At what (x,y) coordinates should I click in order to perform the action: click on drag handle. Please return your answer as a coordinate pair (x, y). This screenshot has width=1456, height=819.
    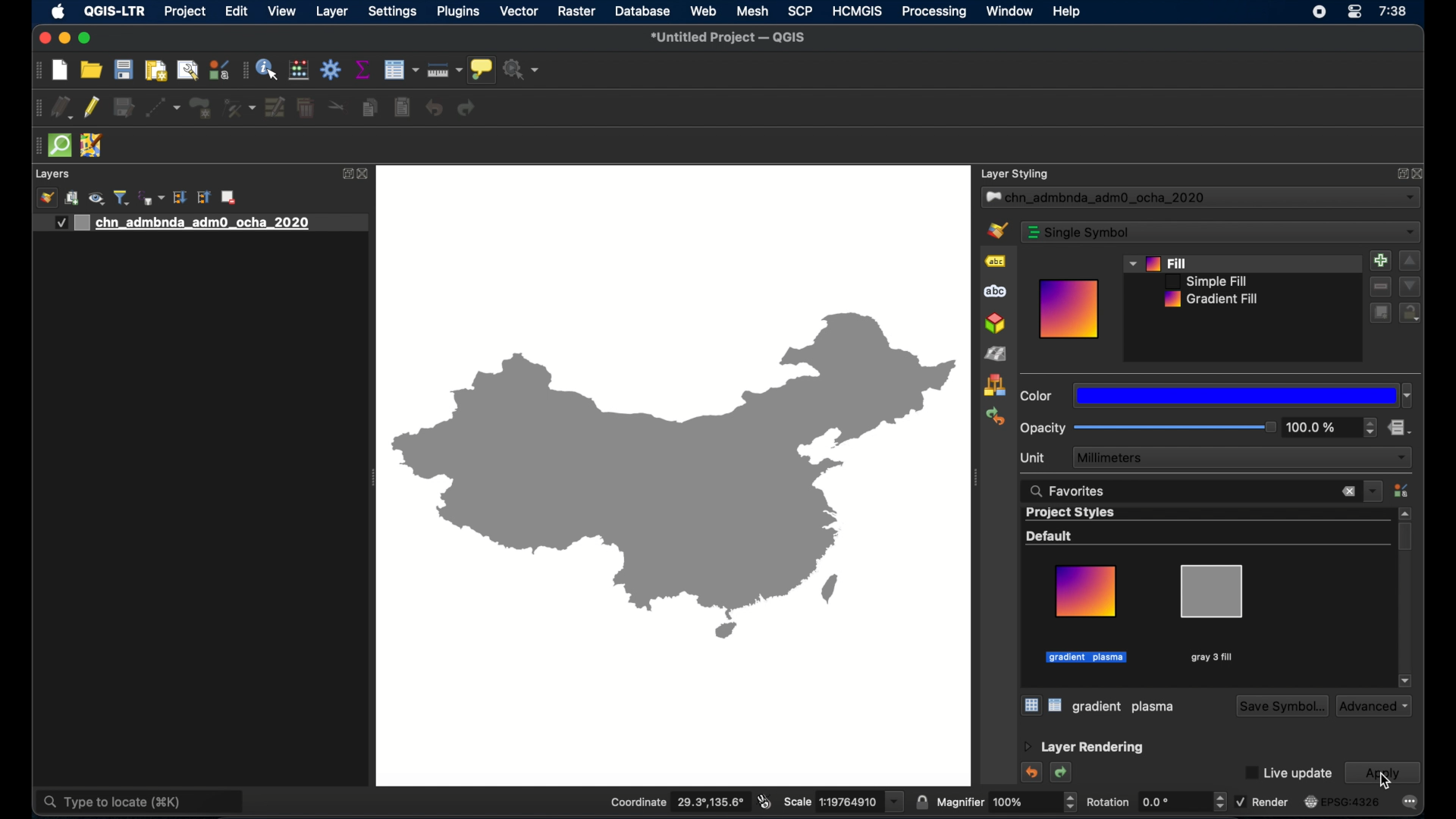
    Looking at the image, I should click on (38, 71).